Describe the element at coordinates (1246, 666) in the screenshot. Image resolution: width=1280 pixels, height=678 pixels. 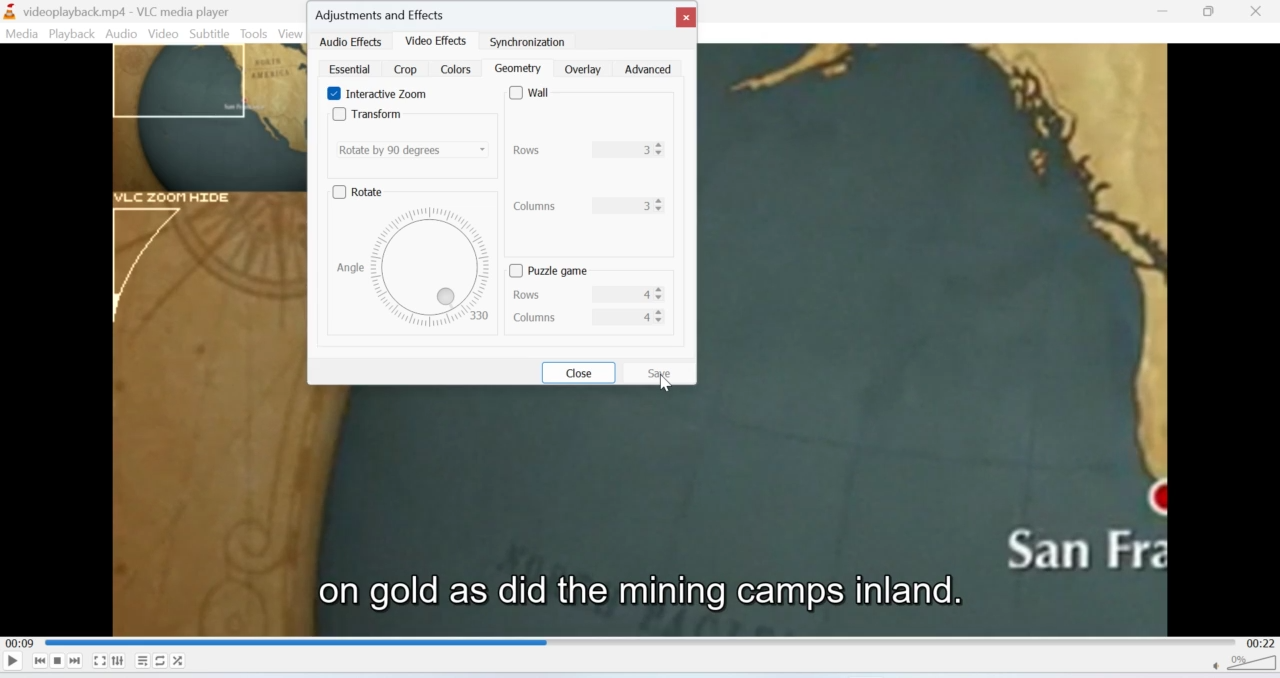
I see `Volume` at that location.